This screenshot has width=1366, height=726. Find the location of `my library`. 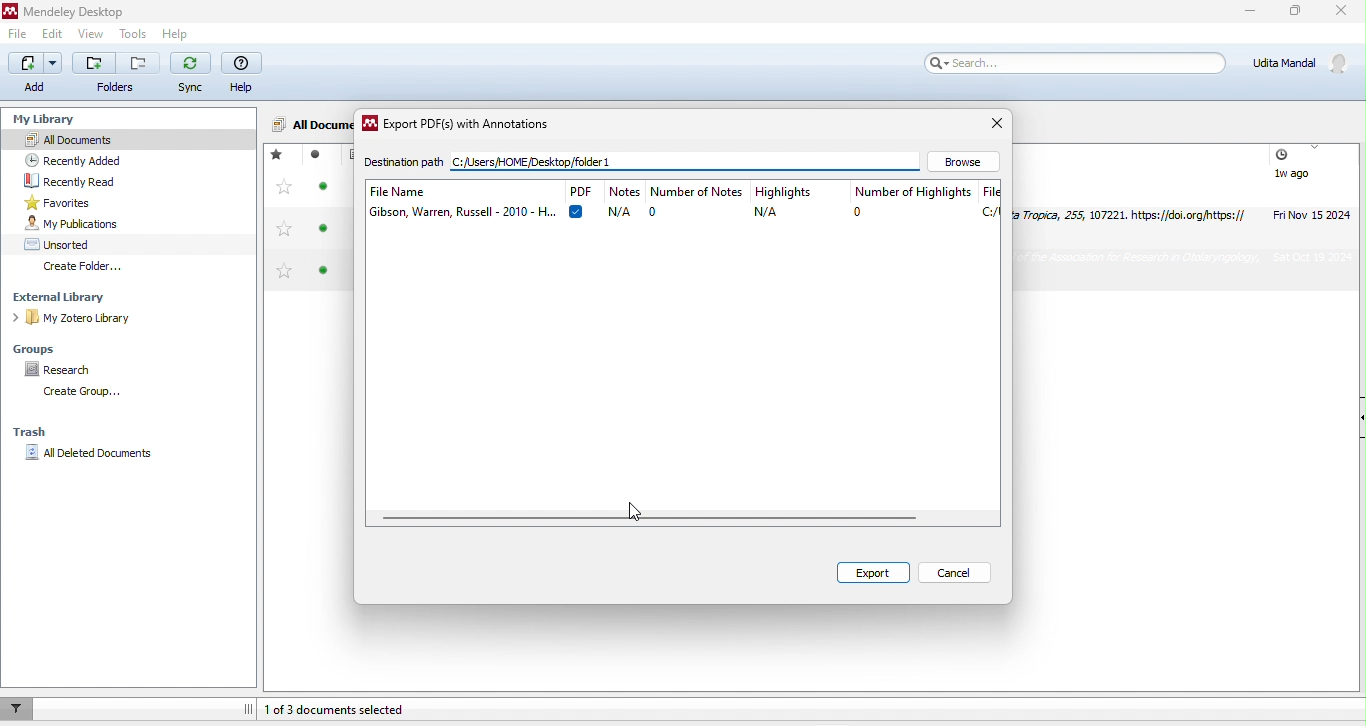

my library is located at coordinates (53, 120).